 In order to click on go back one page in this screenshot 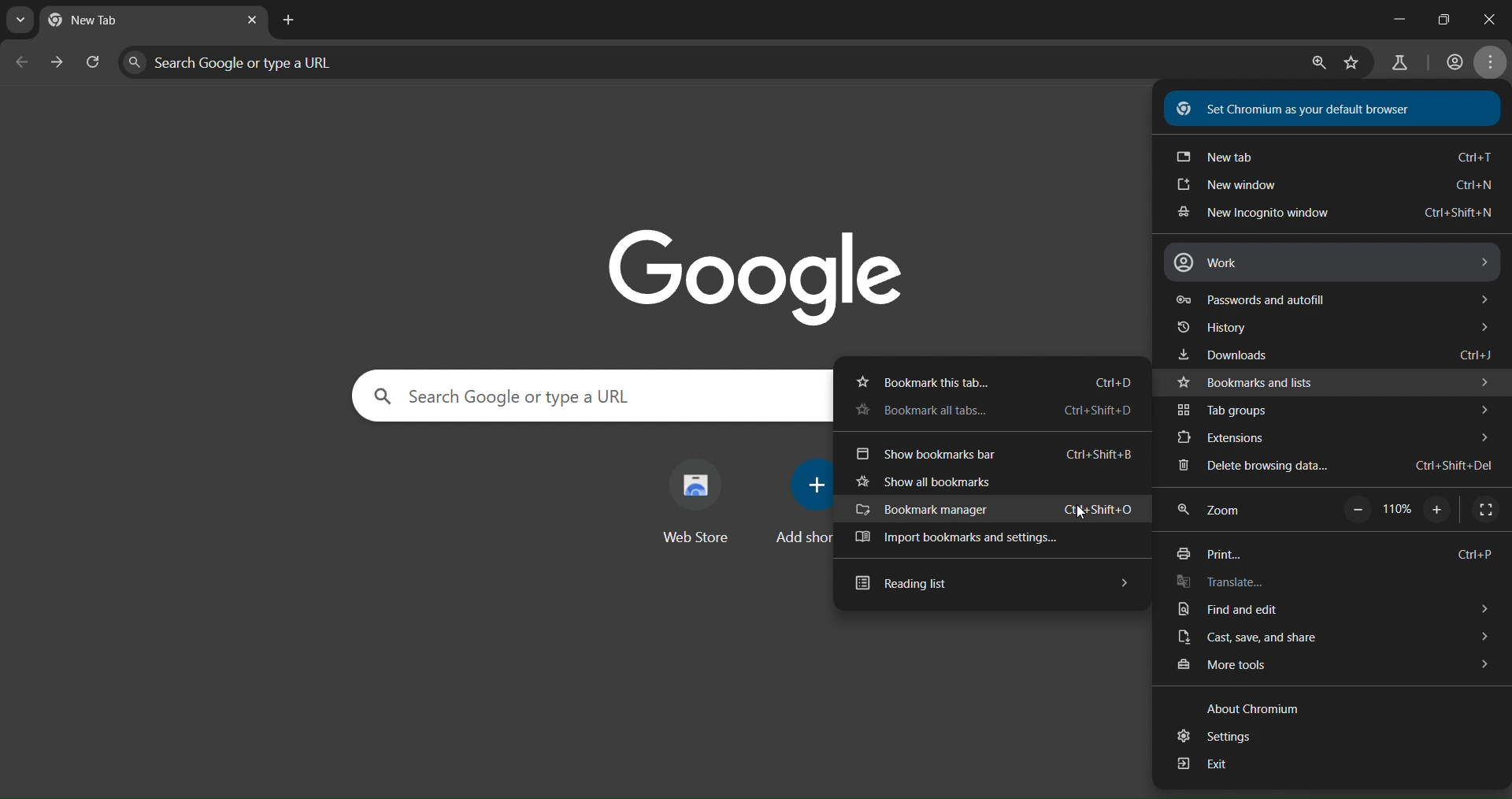, I will do `click(23, 61)`.